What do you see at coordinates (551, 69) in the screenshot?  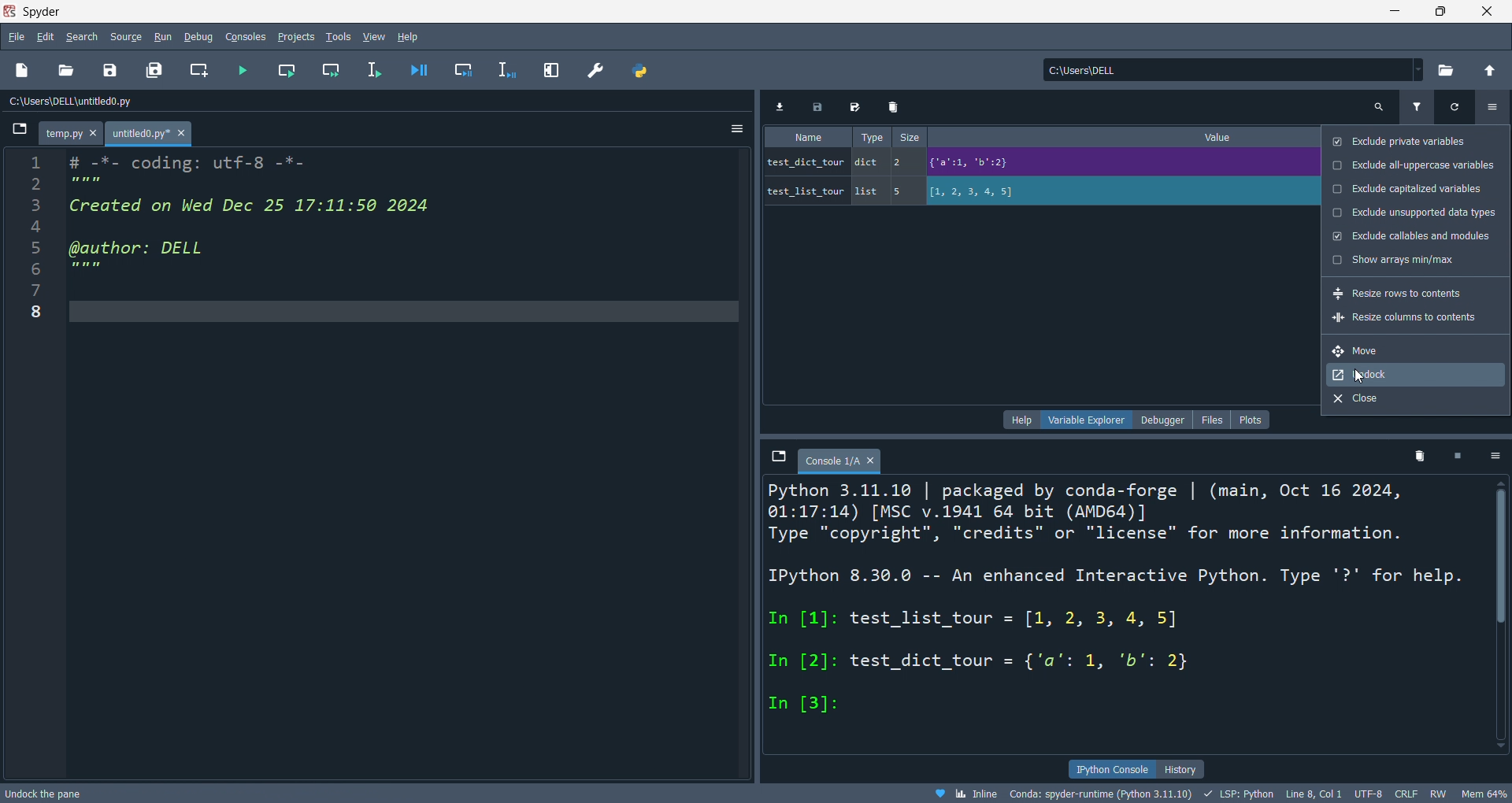 I see `expand pane` at bounding box center [551, 69].